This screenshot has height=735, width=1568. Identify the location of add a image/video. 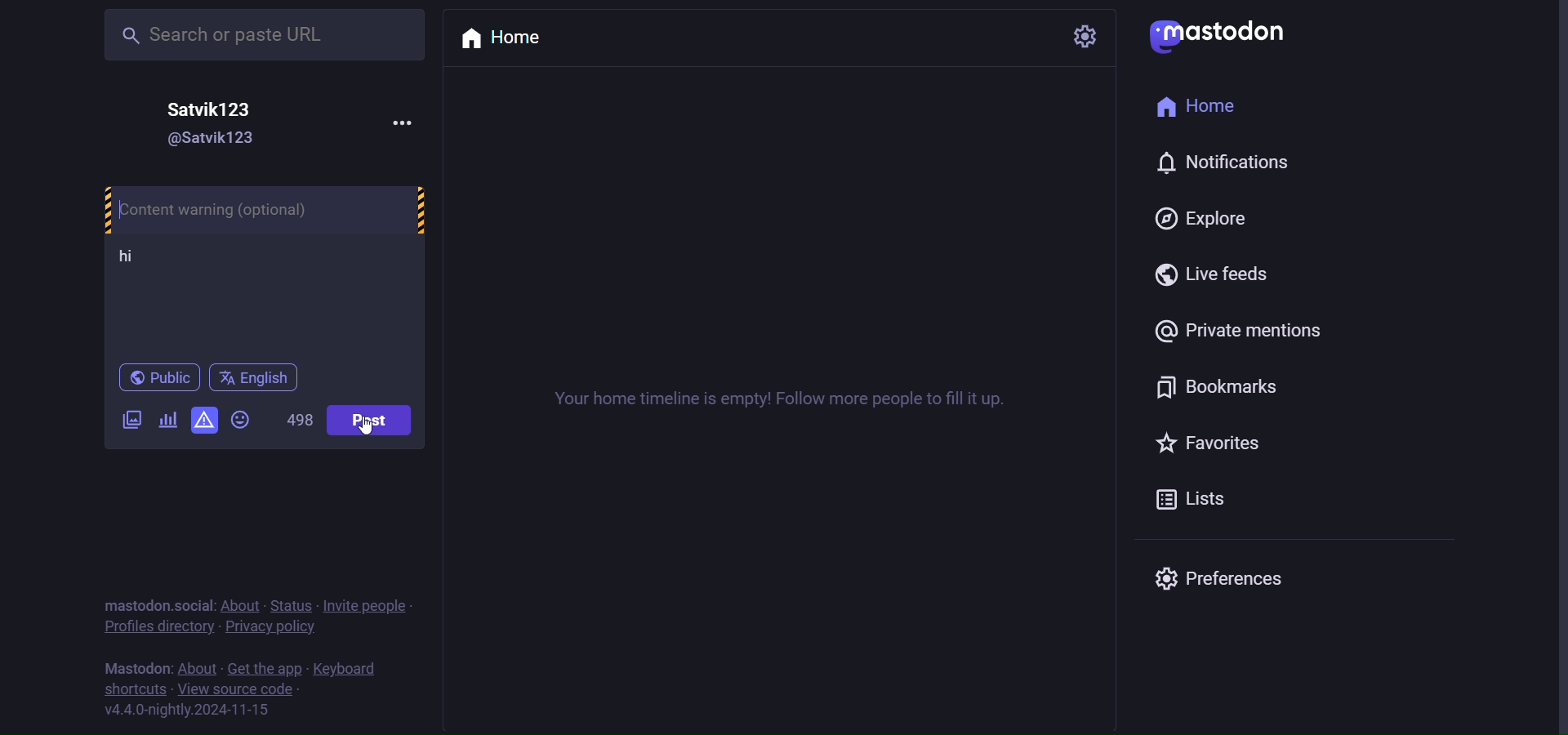
(126, 420).